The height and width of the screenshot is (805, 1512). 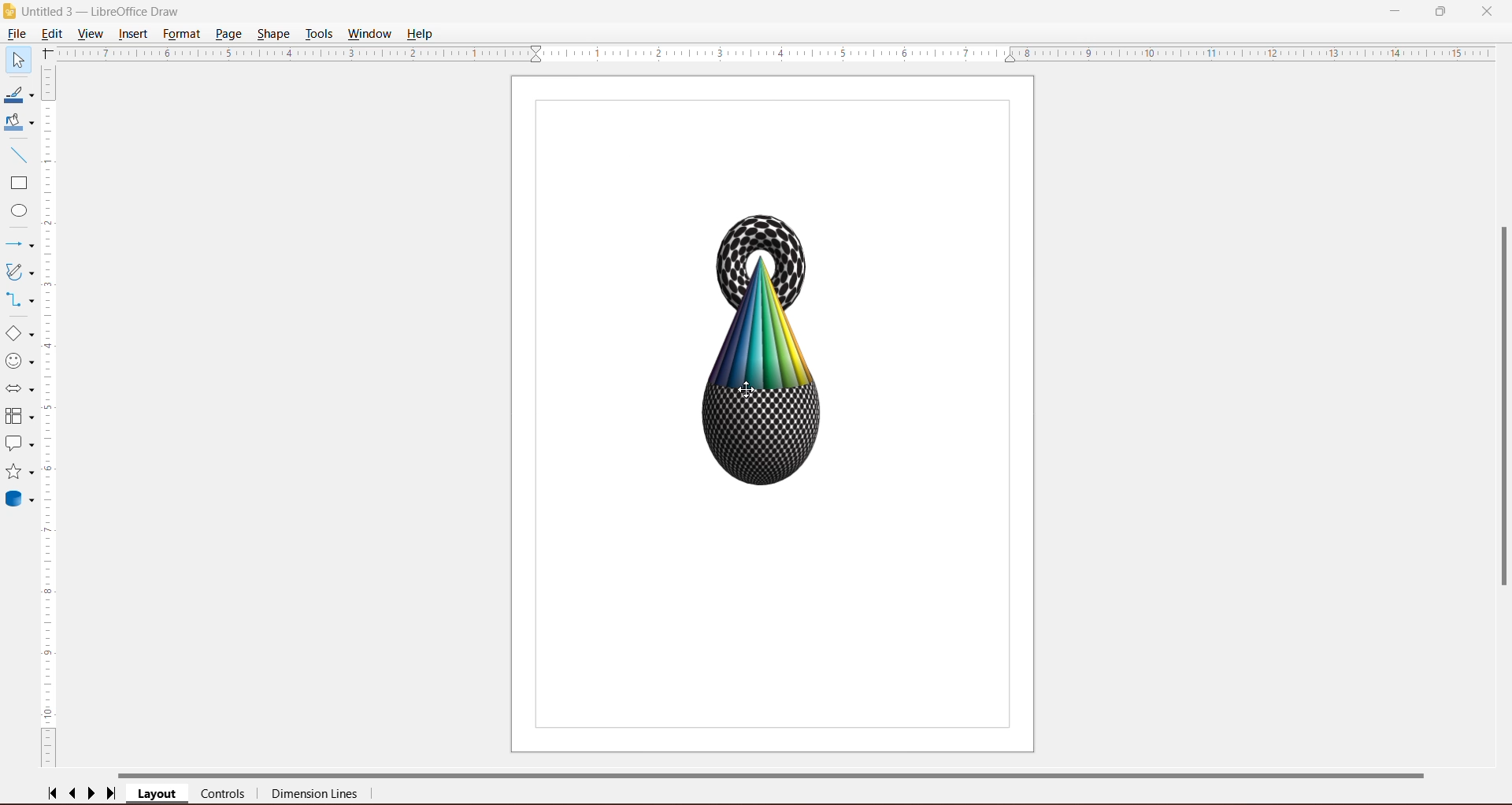 What do you see at coordinates (774, 54) in the screenshot?
I see `Horizontal Ruler` at bounding box center [774, 54].